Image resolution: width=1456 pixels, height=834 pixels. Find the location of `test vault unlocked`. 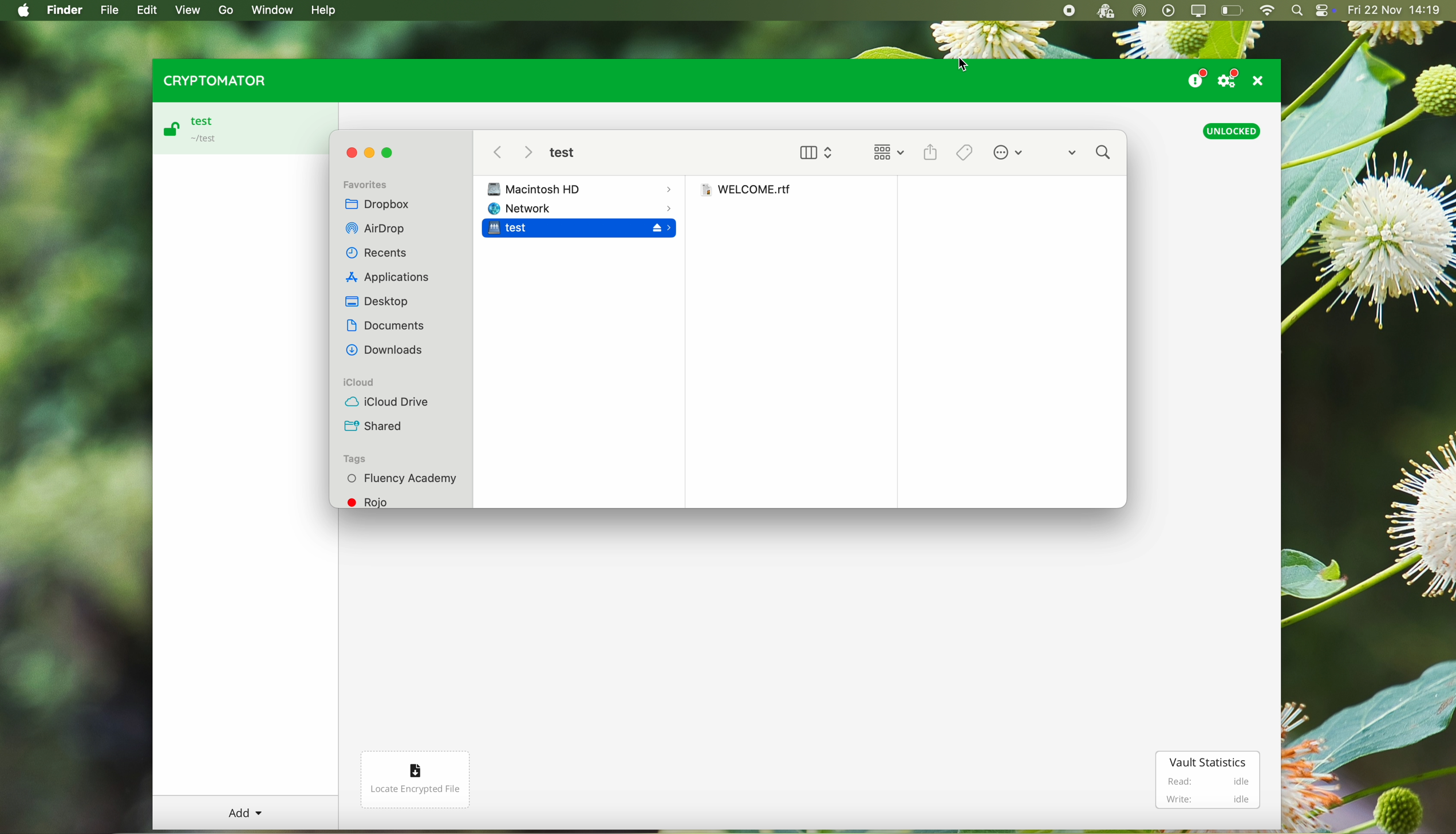

test vault unlocked is located at coordinates (244, 128).